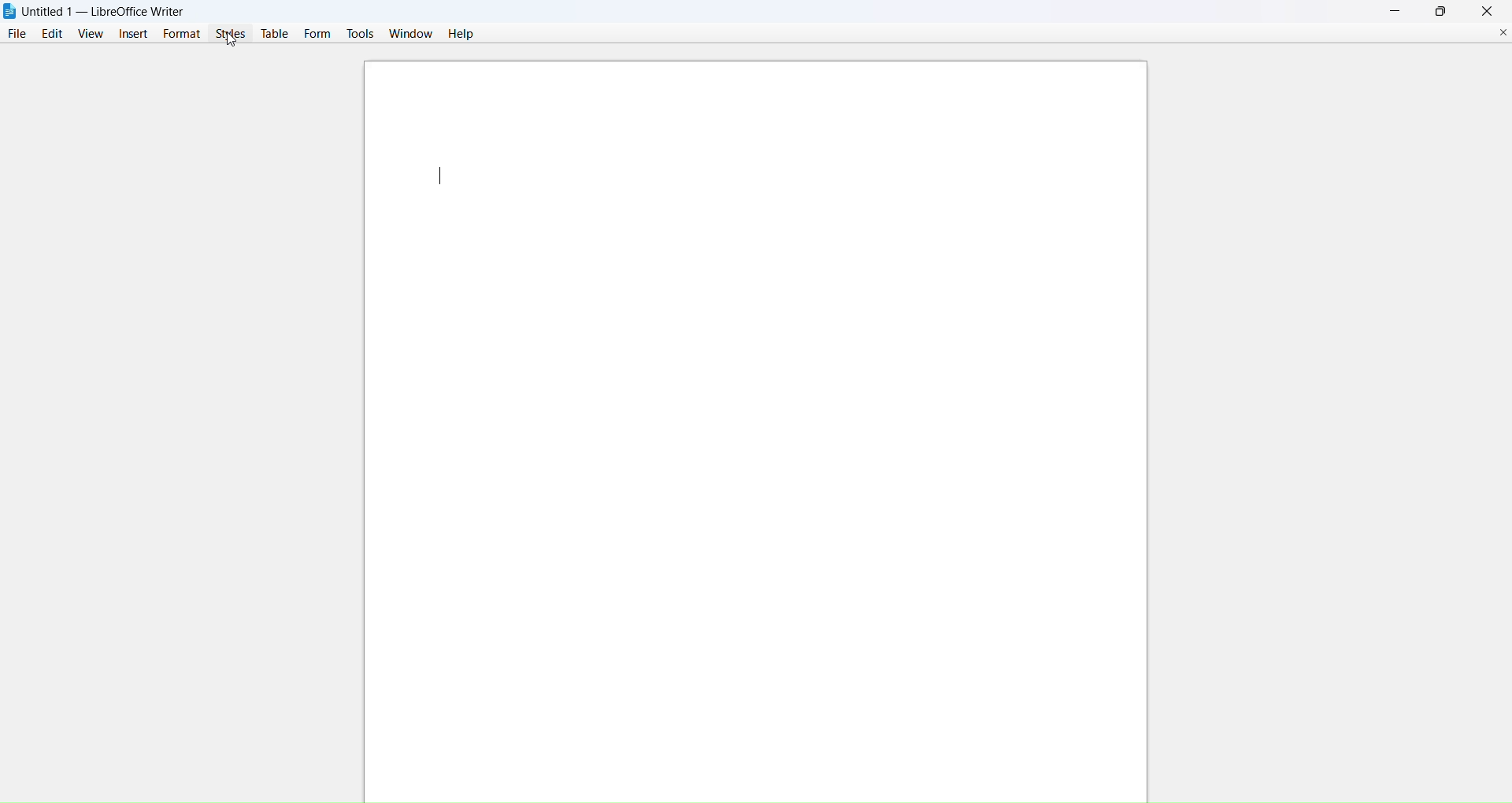 The width and height of the screenshot is (1512, 803). I want to click on tools, so click(361, 33).